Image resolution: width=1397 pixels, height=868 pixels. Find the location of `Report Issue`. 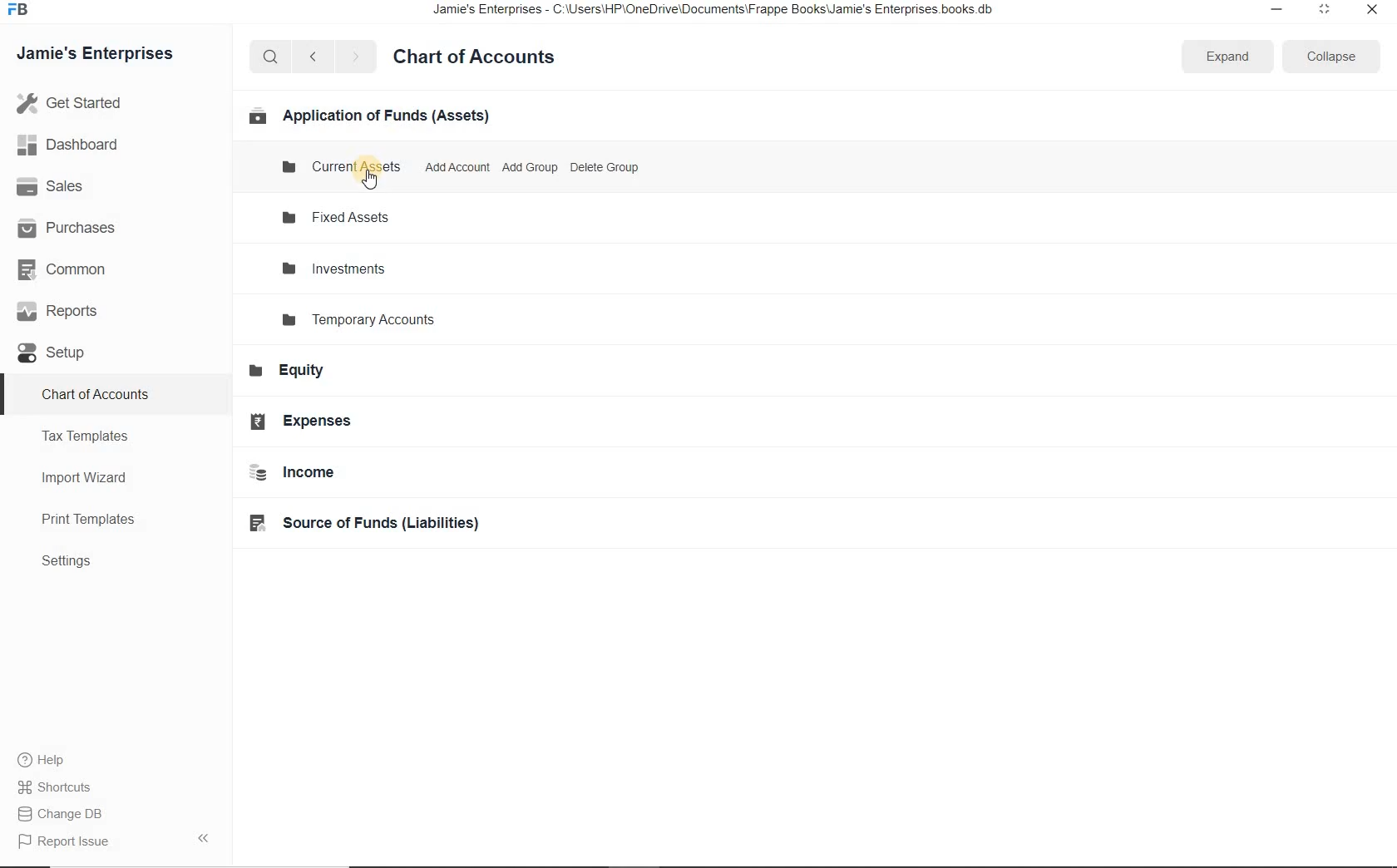

Report Issue is located at coordinates (68, 842).